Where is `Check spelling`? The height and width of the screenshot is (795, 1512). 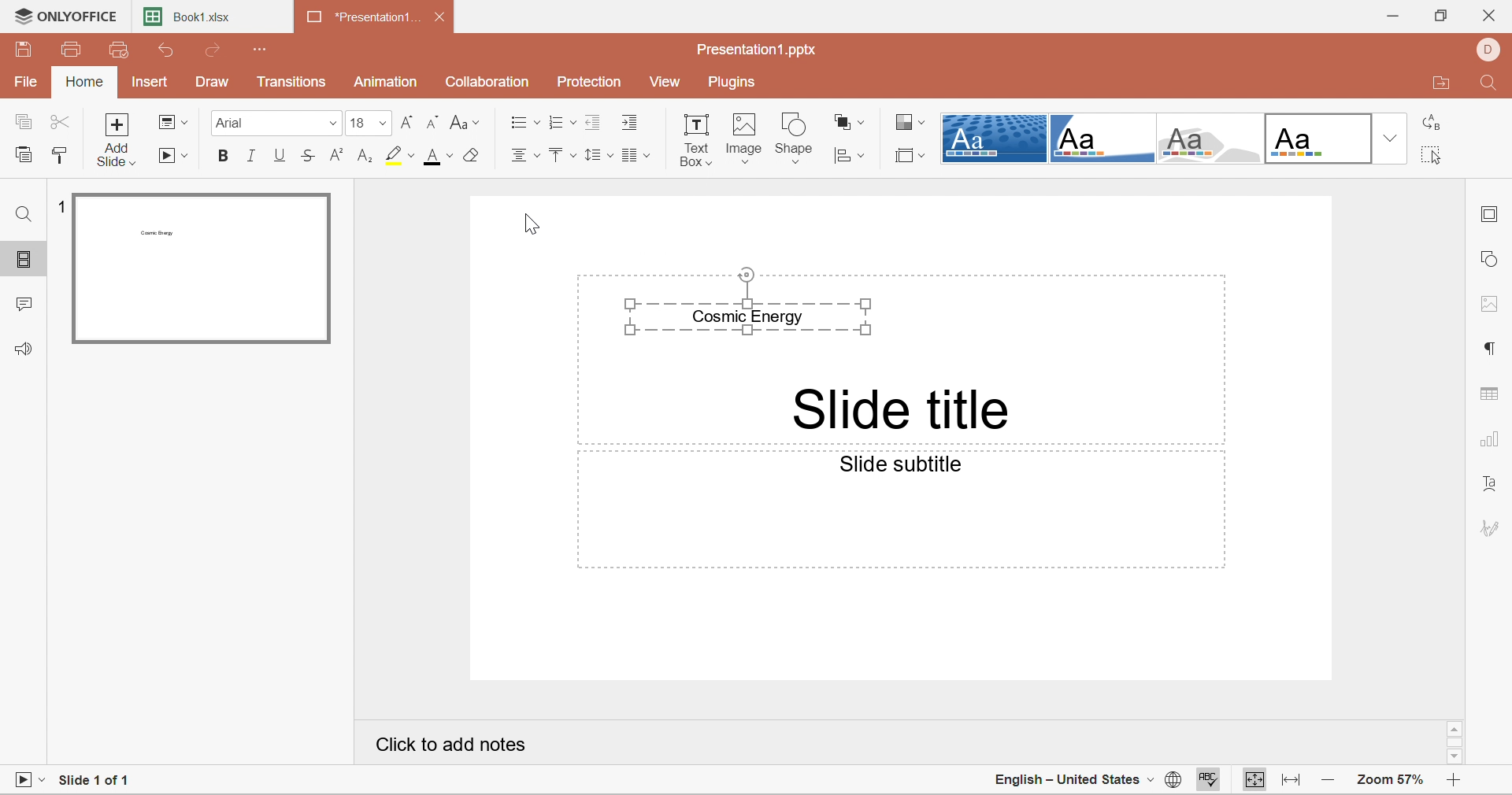
Check spelling is located at coordinates (1210, 780).